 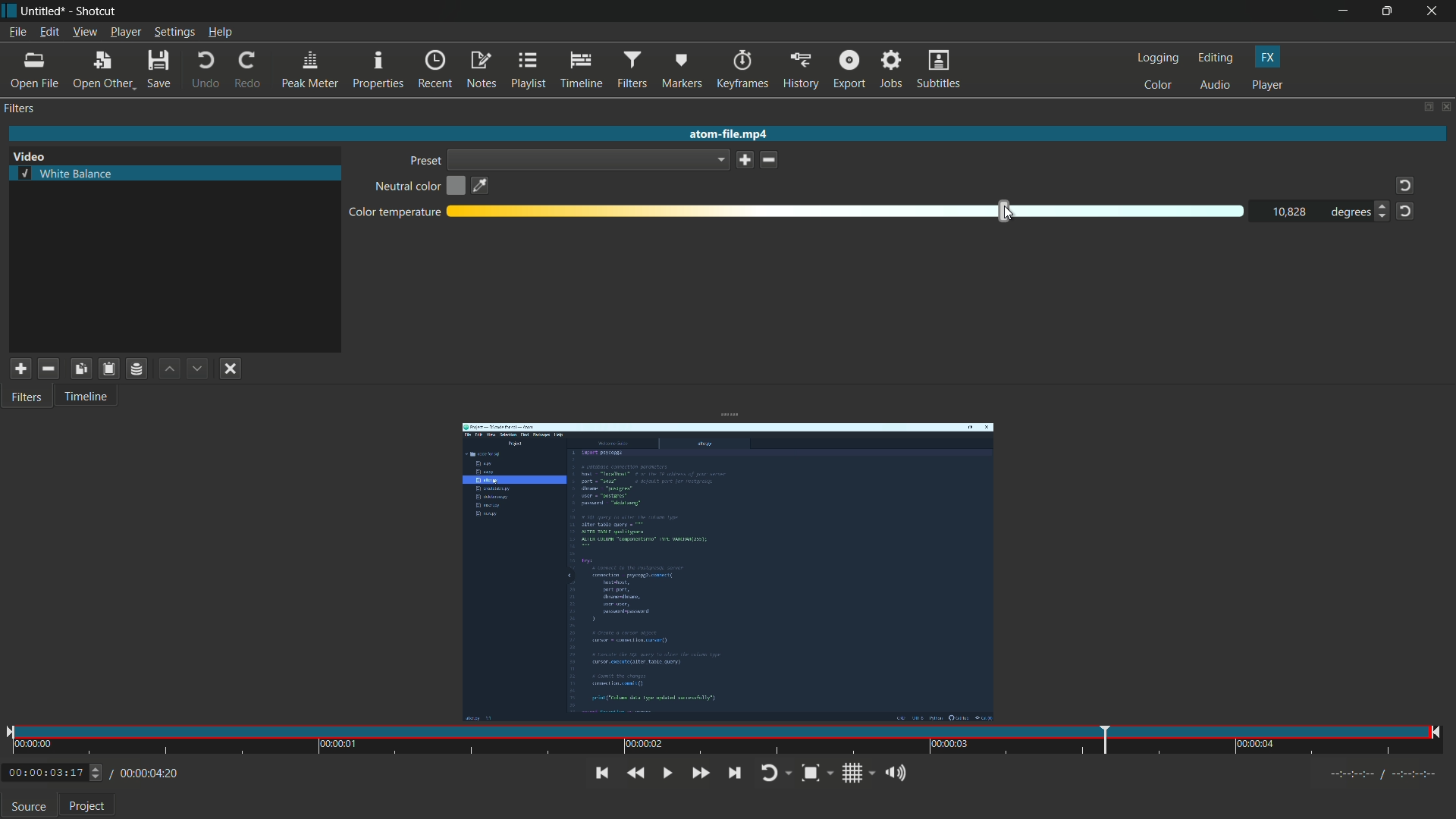 I want to click on quickly play forward, so click(x=700, y=773).